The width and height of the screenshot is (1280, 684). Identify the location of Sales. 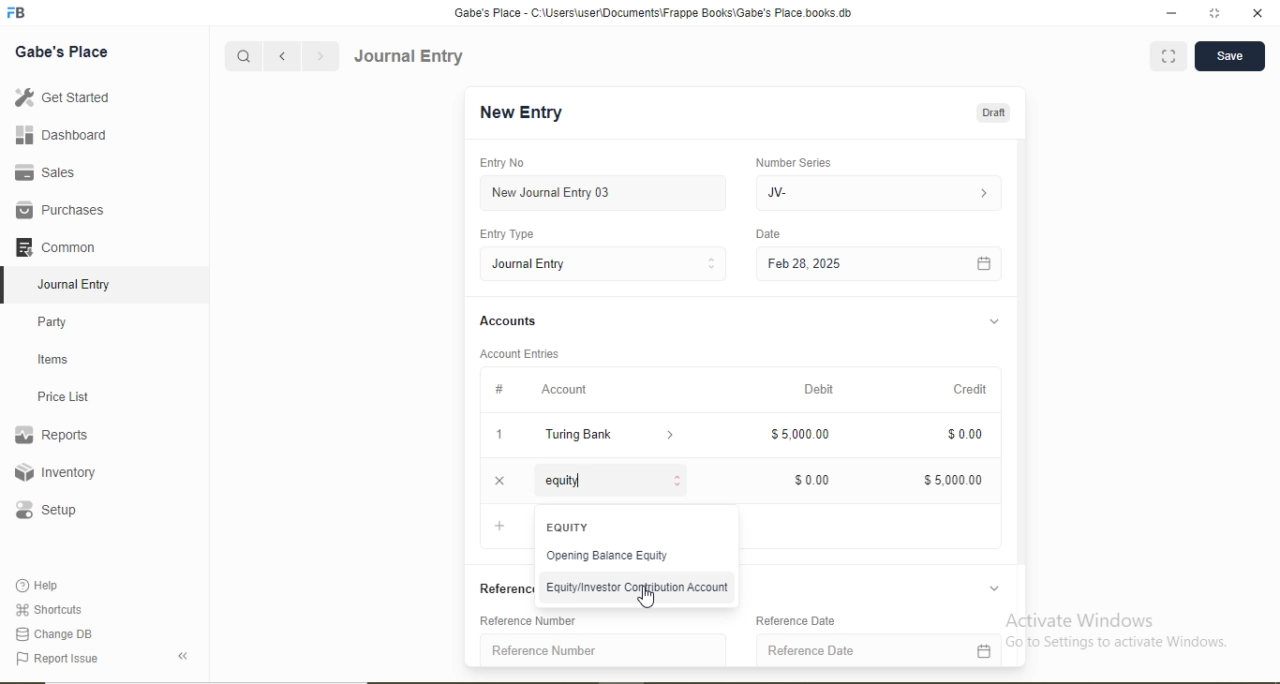
(42, 172).